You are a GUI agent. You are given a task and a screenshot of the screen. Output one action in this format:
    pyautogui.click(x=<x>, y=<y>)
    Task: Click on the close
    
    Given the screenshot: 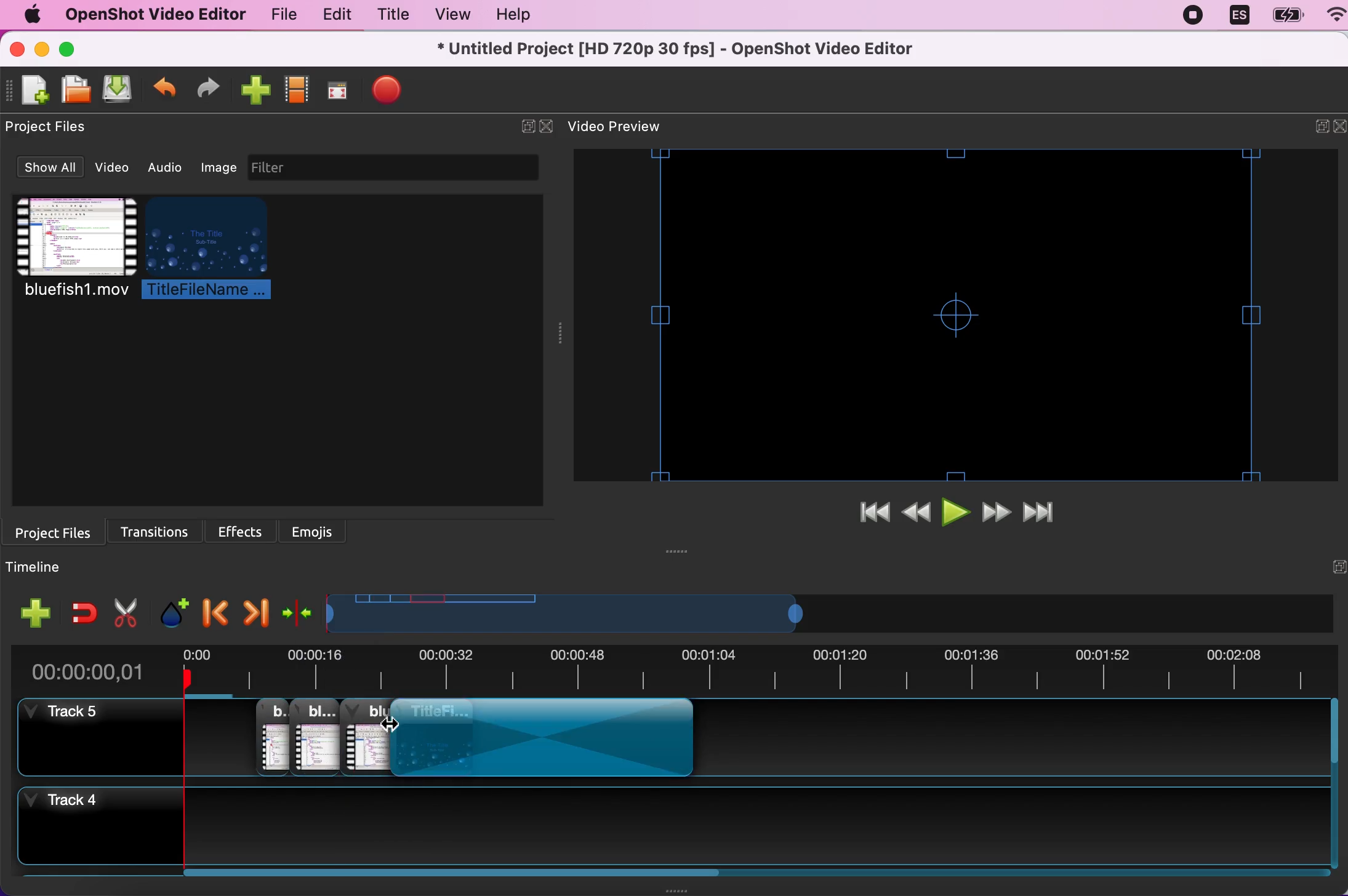 What is the action you would take?
    pyautogui.click(x=1339, y=127)
    